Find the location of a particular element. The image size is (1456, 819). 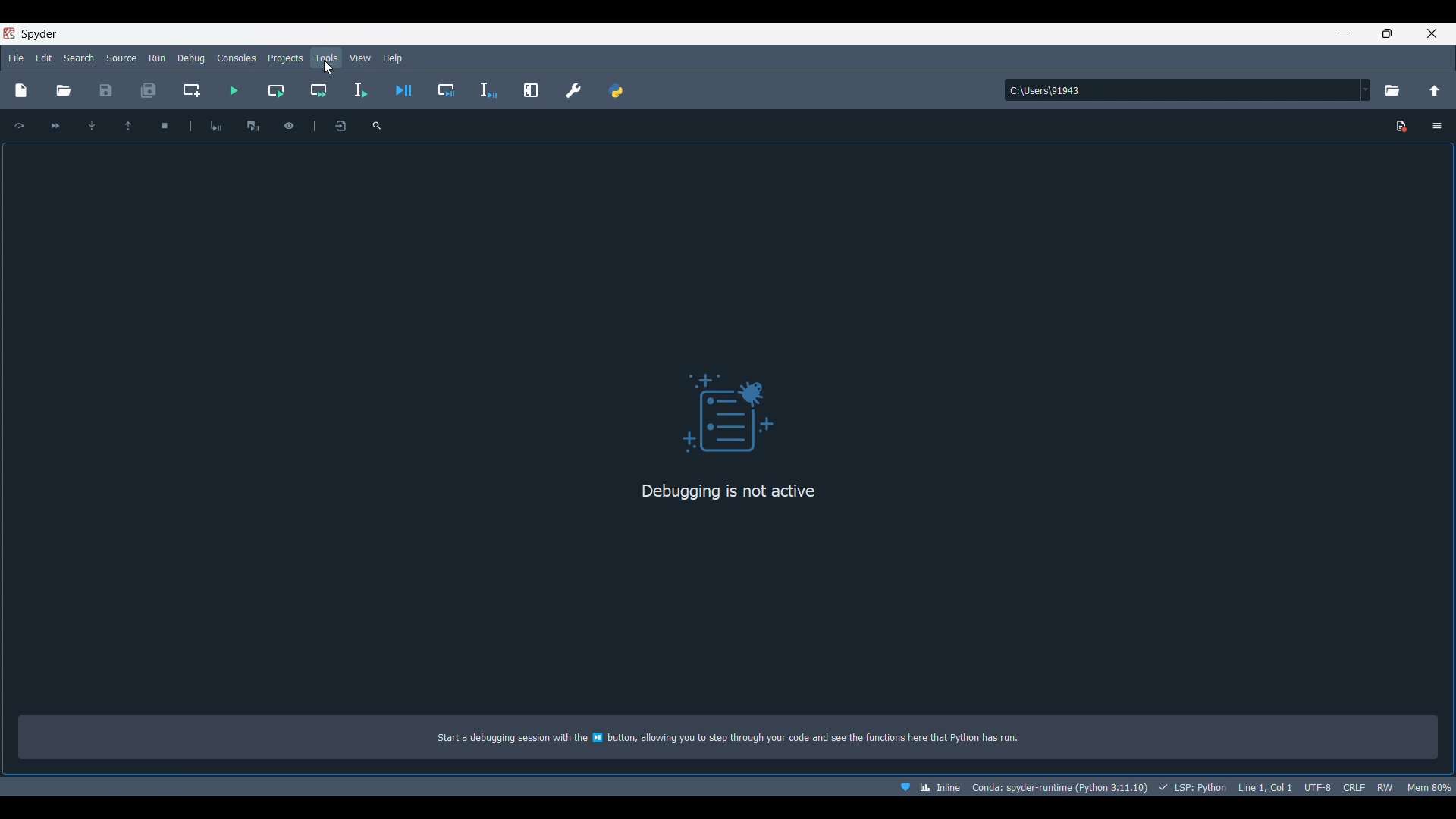

Run selection or current file is located at coordinates (359, 90).